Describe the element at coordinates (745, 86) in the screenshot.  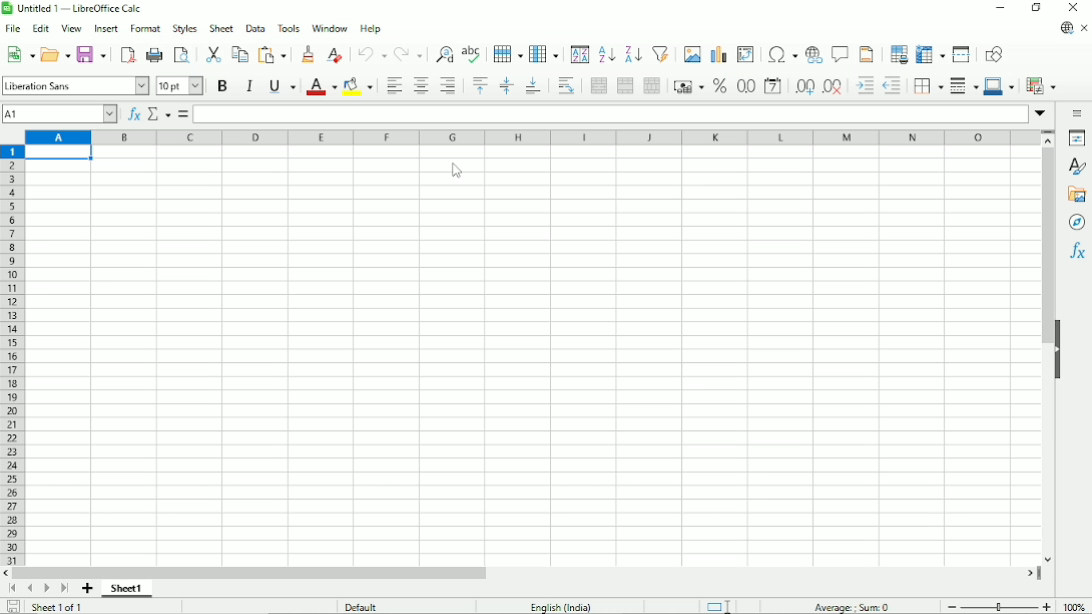
I see `format as number` at that location.